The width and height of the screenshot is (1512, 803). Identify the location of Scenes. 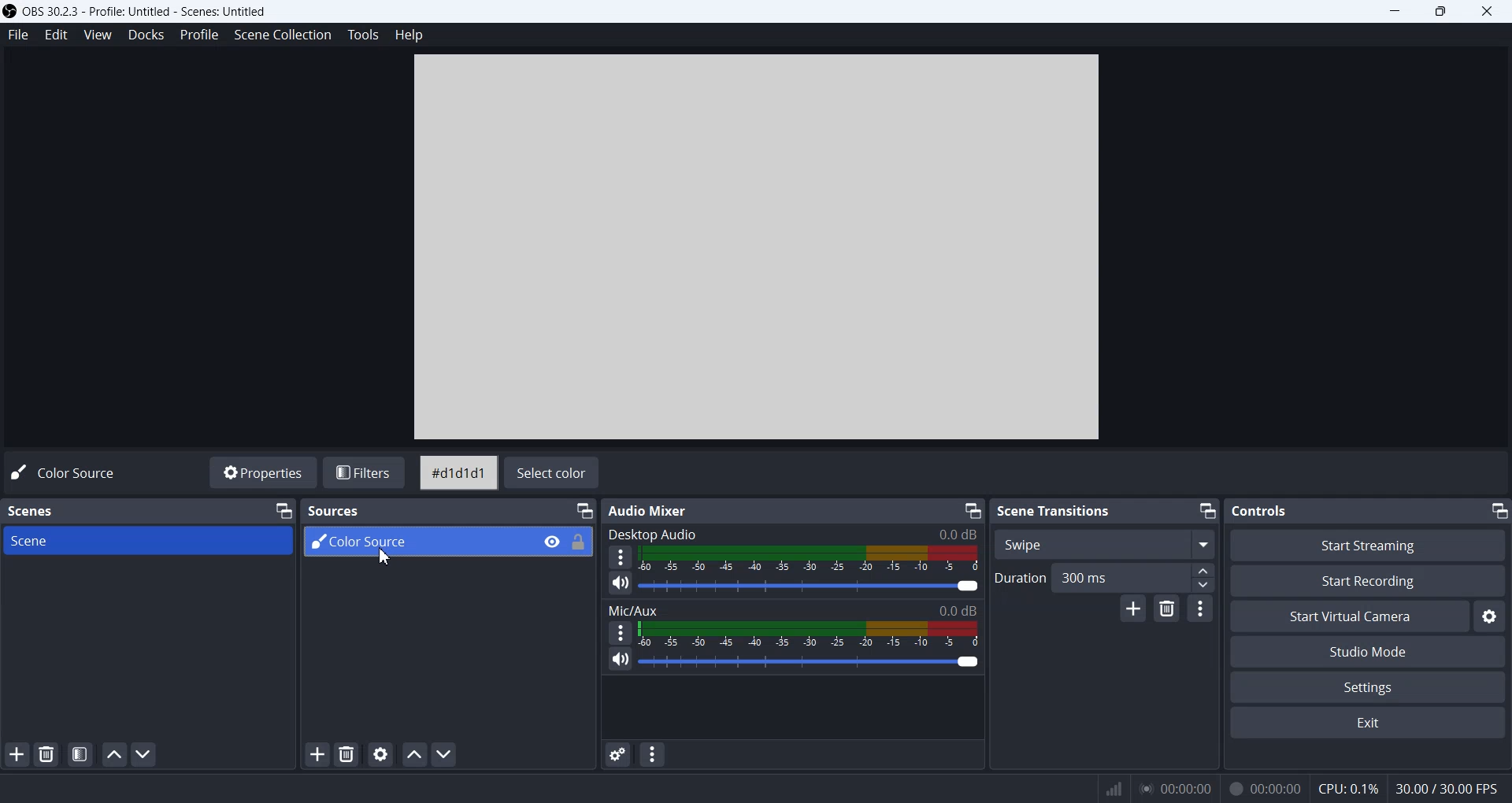
(33, 510).